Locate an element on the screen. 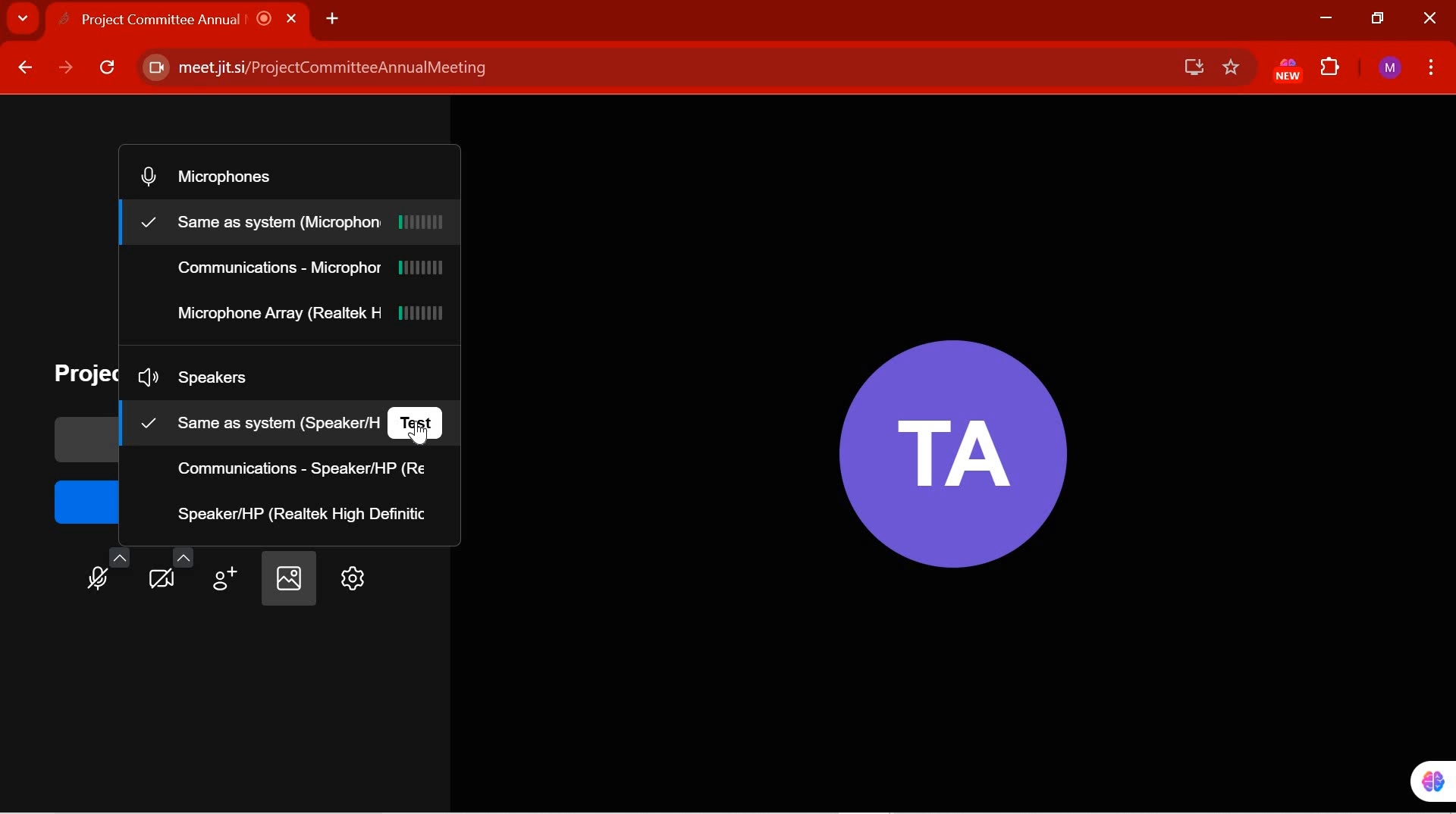 This screenshot has height=814, width=1456. Speaker/HP (Realtek High Definition) is located at coordinates (305, 513).